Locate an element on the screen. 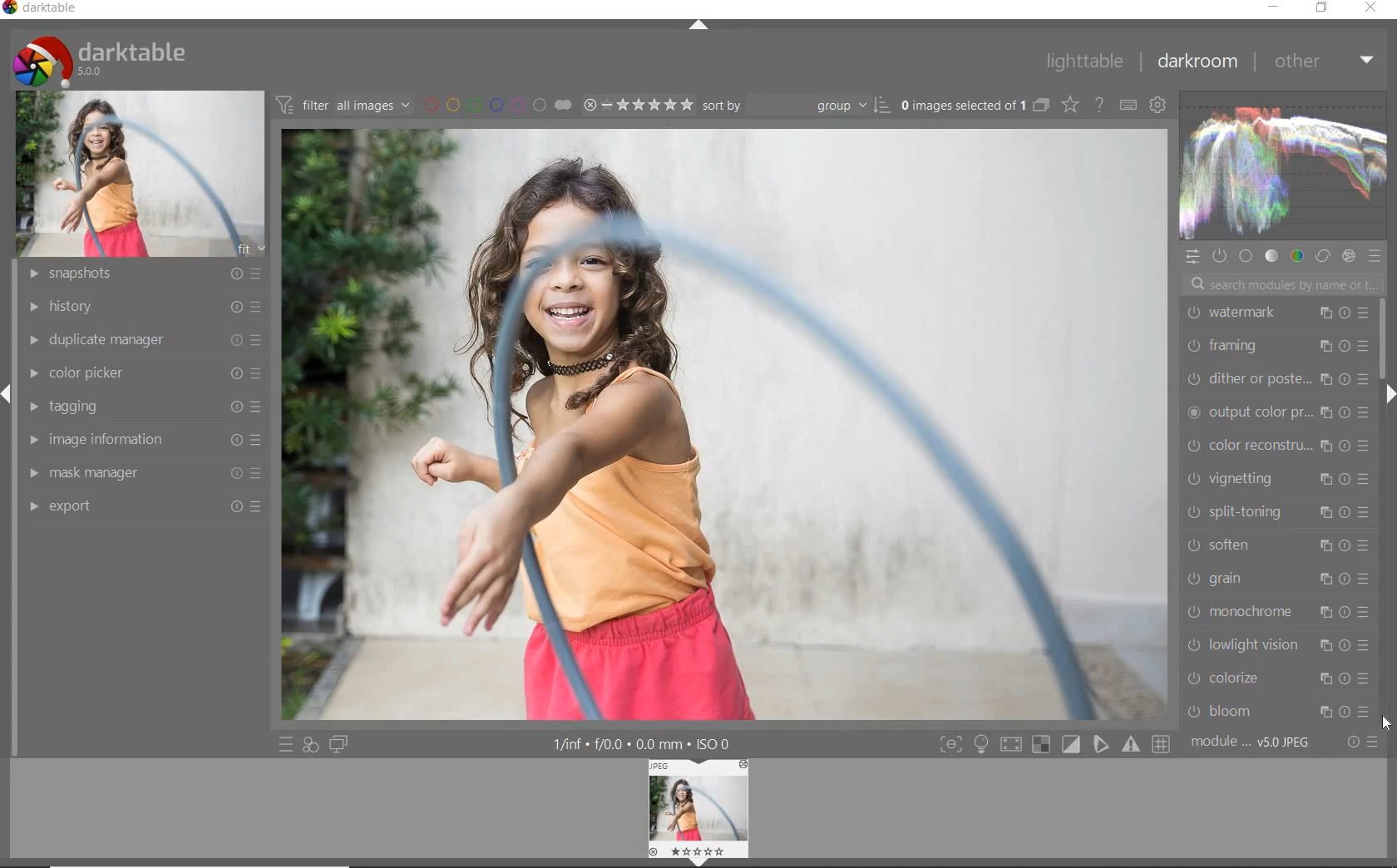  toggle mode  is located at coordinates (1133, 745).